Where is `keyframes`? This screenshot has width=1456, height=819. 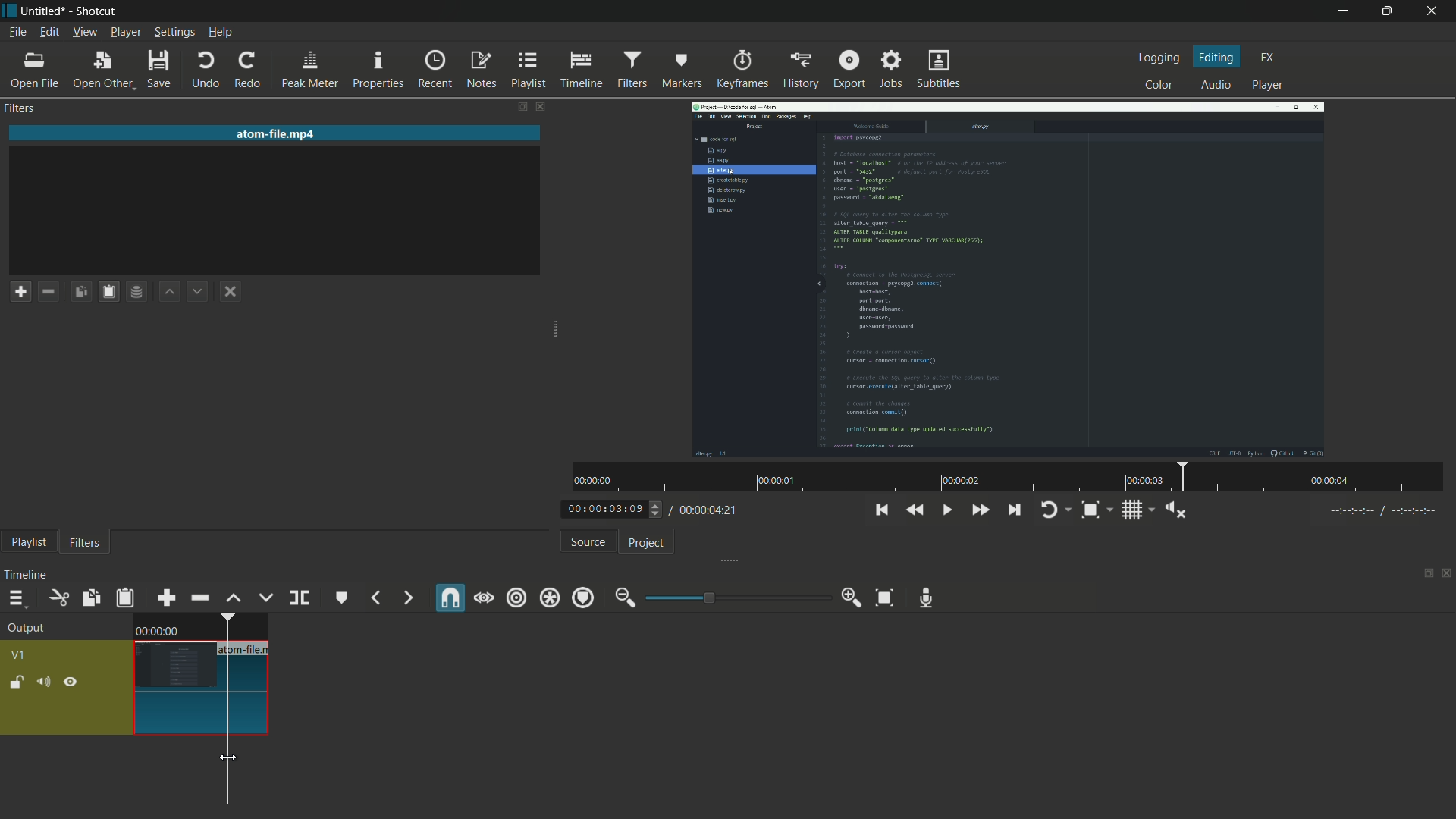 keyframes is located at coordinates (742, 71).